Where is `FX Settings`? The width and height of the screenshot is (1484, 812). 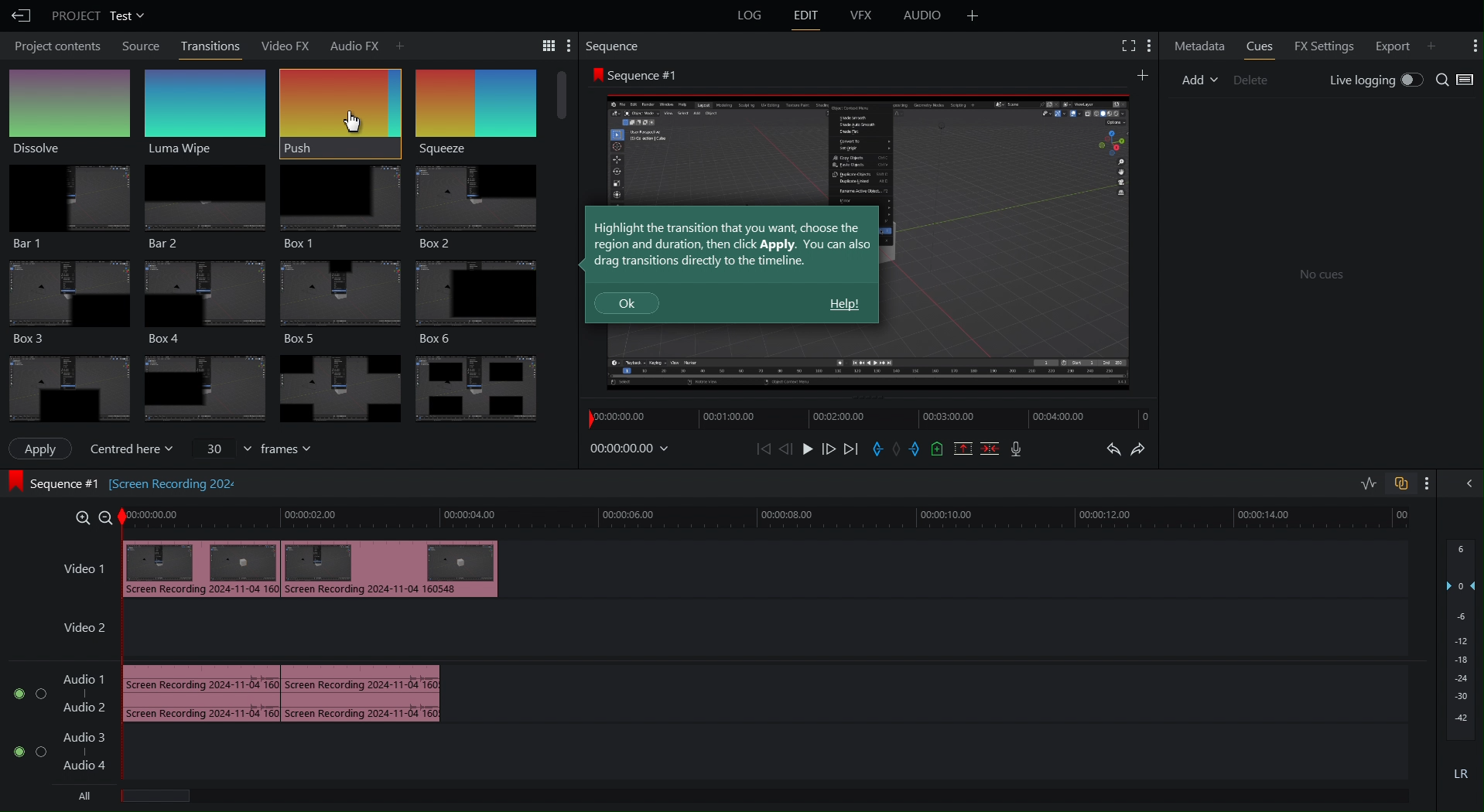
FX Settings is located at coordinates (1322, 45).